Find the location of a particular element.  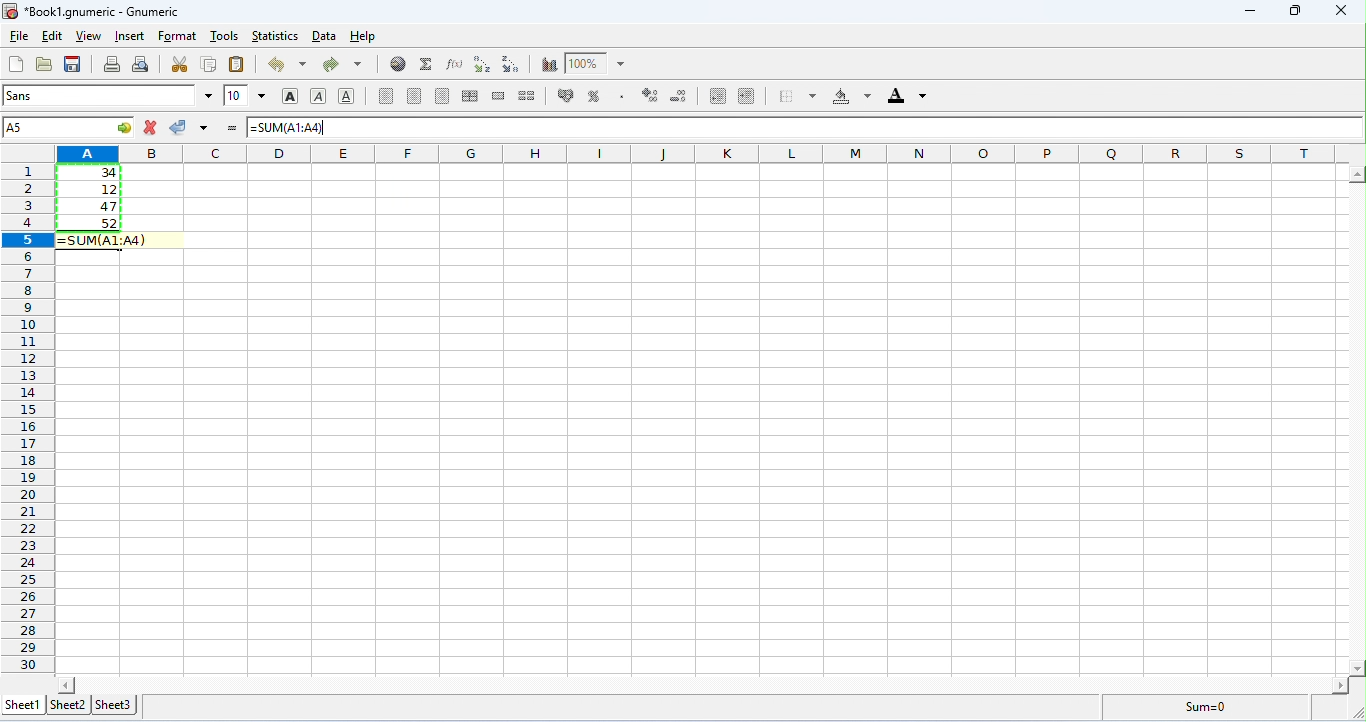

print is located at coordinates (112, 64).